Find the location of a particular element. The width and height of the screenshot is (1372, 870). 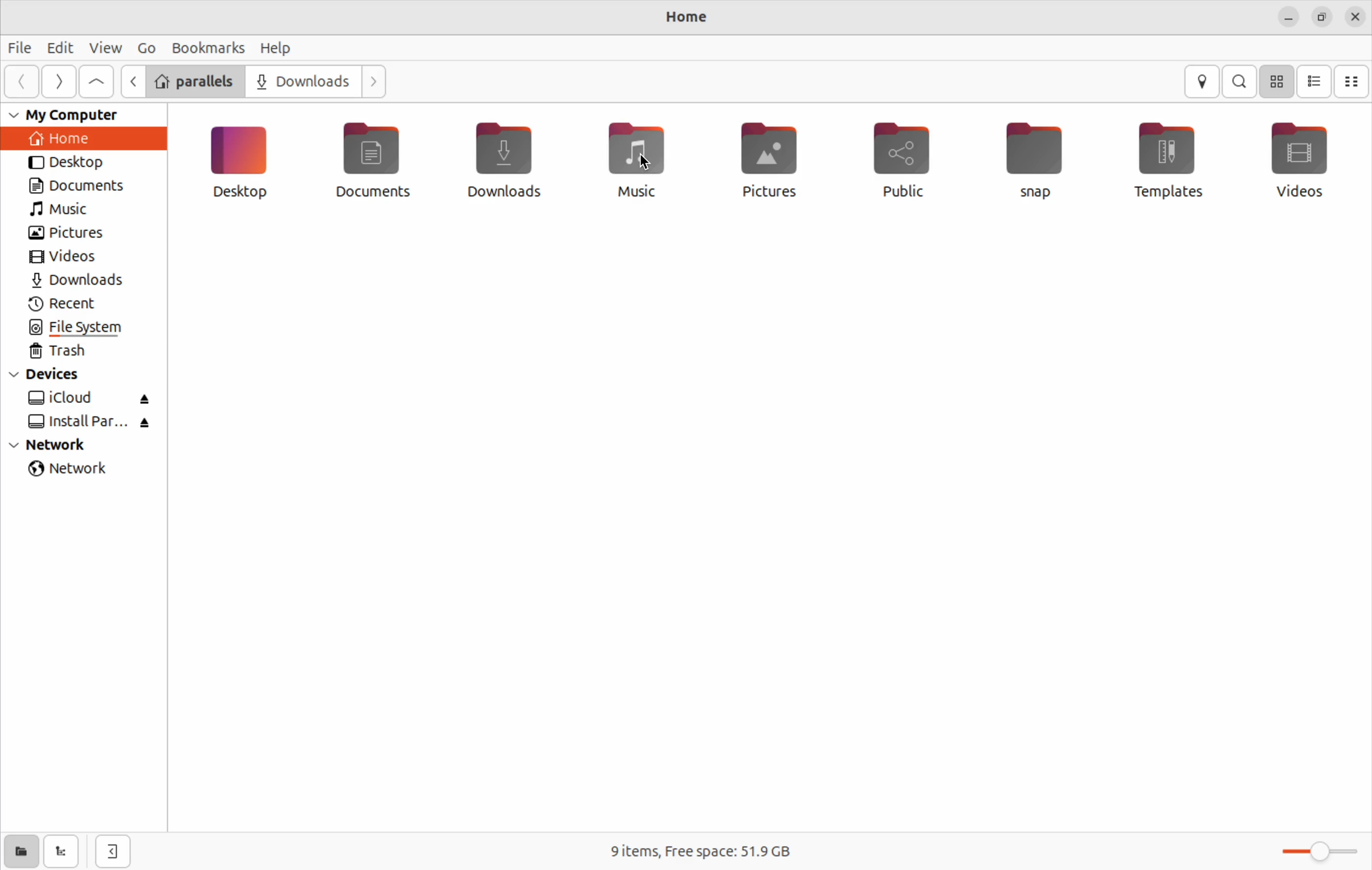

close is located at coordinates (1357, 18).